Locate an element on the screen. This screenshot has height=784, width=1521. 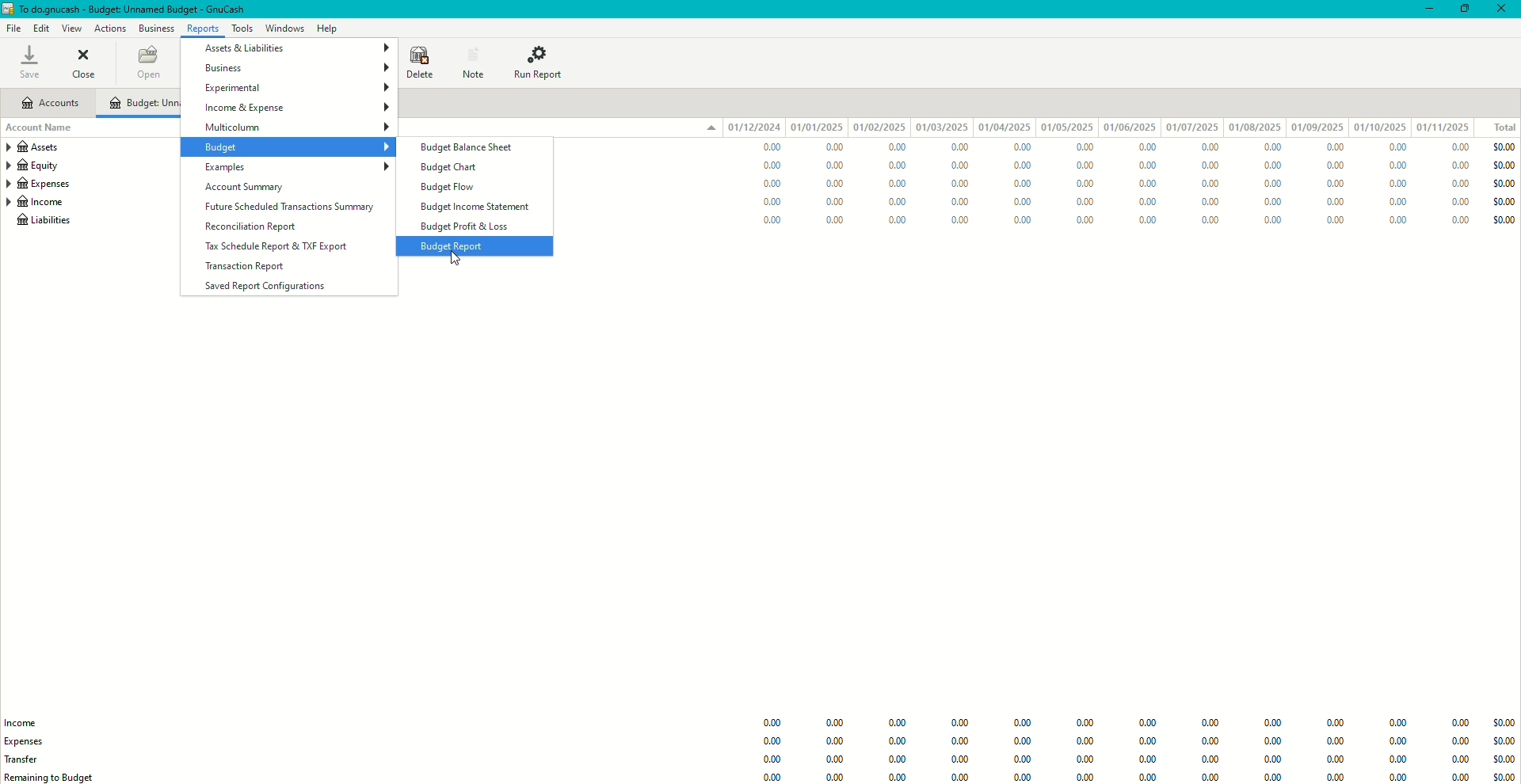
0.00 is located at coordinates (960, 741).